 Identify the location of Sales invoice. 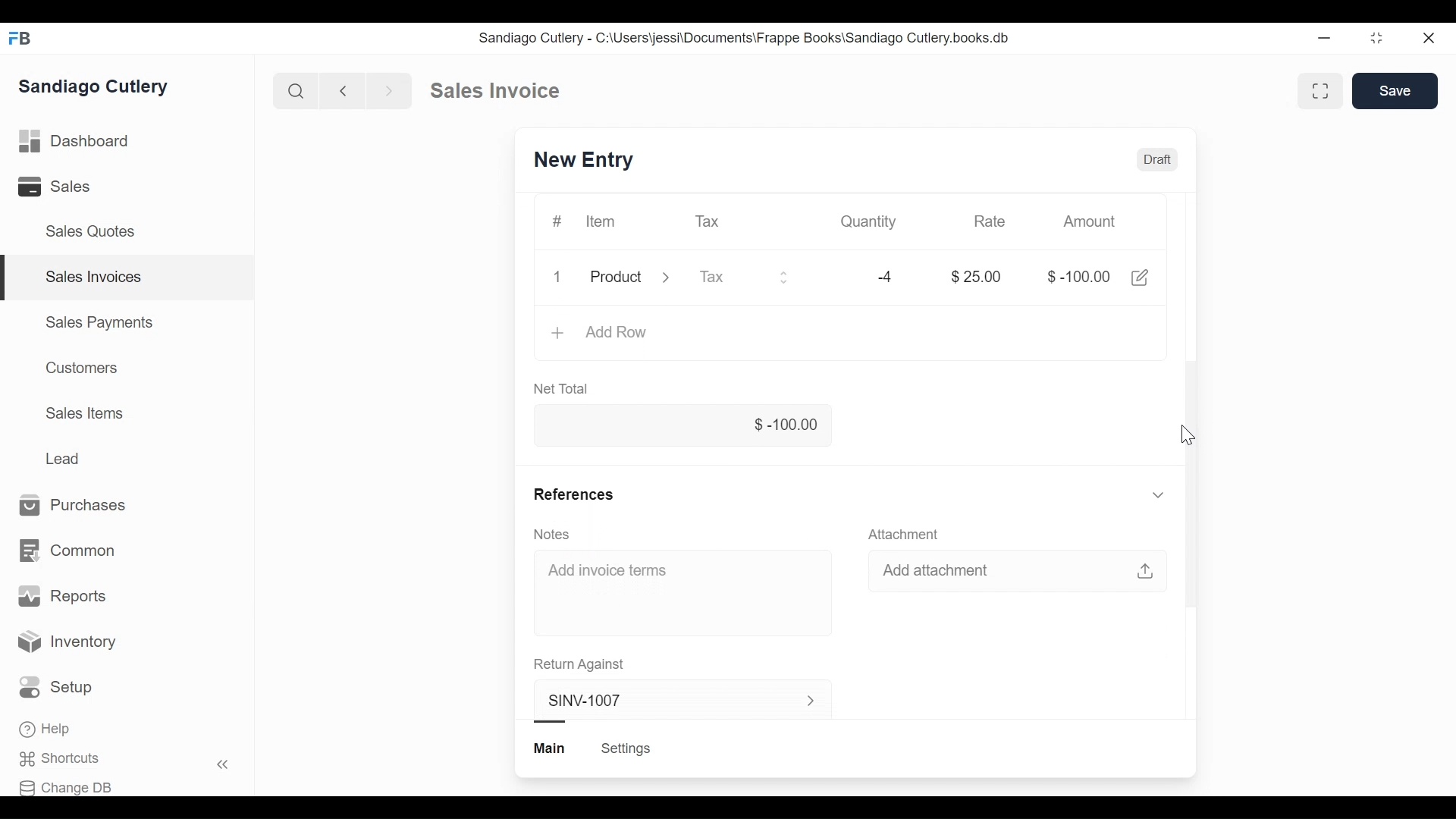
(494, 91).